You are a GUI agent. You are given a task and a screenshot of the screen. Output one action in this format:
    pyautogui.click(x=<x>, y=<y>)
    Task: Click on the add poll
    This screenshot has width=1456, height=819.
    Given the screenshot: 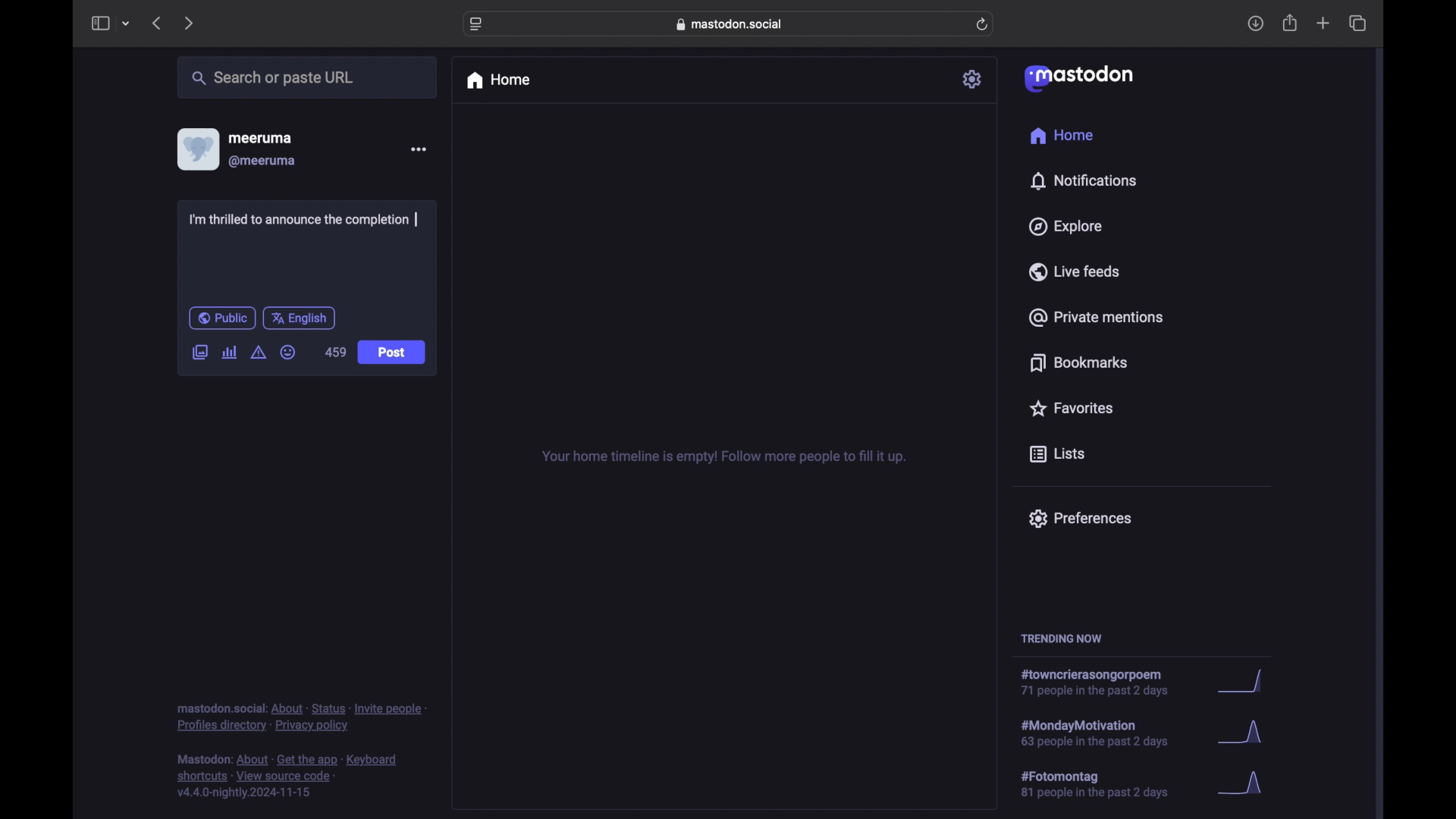 What is the action you would take?
    pyautogui.click(x=231, y=353)
    